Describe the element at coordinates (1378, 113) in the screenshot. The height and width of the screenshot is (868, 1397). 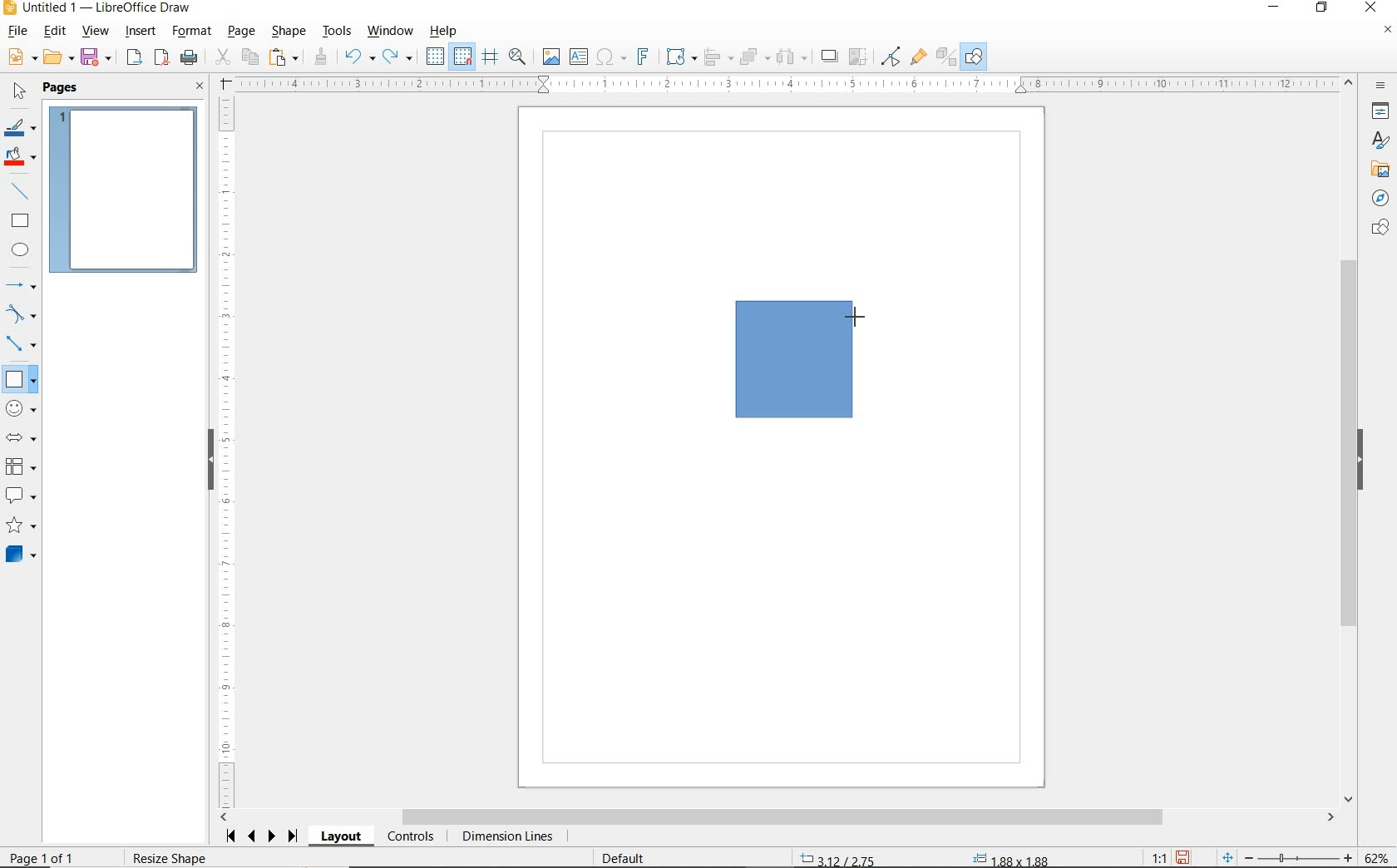
I see `PROPERTIES` at that location.